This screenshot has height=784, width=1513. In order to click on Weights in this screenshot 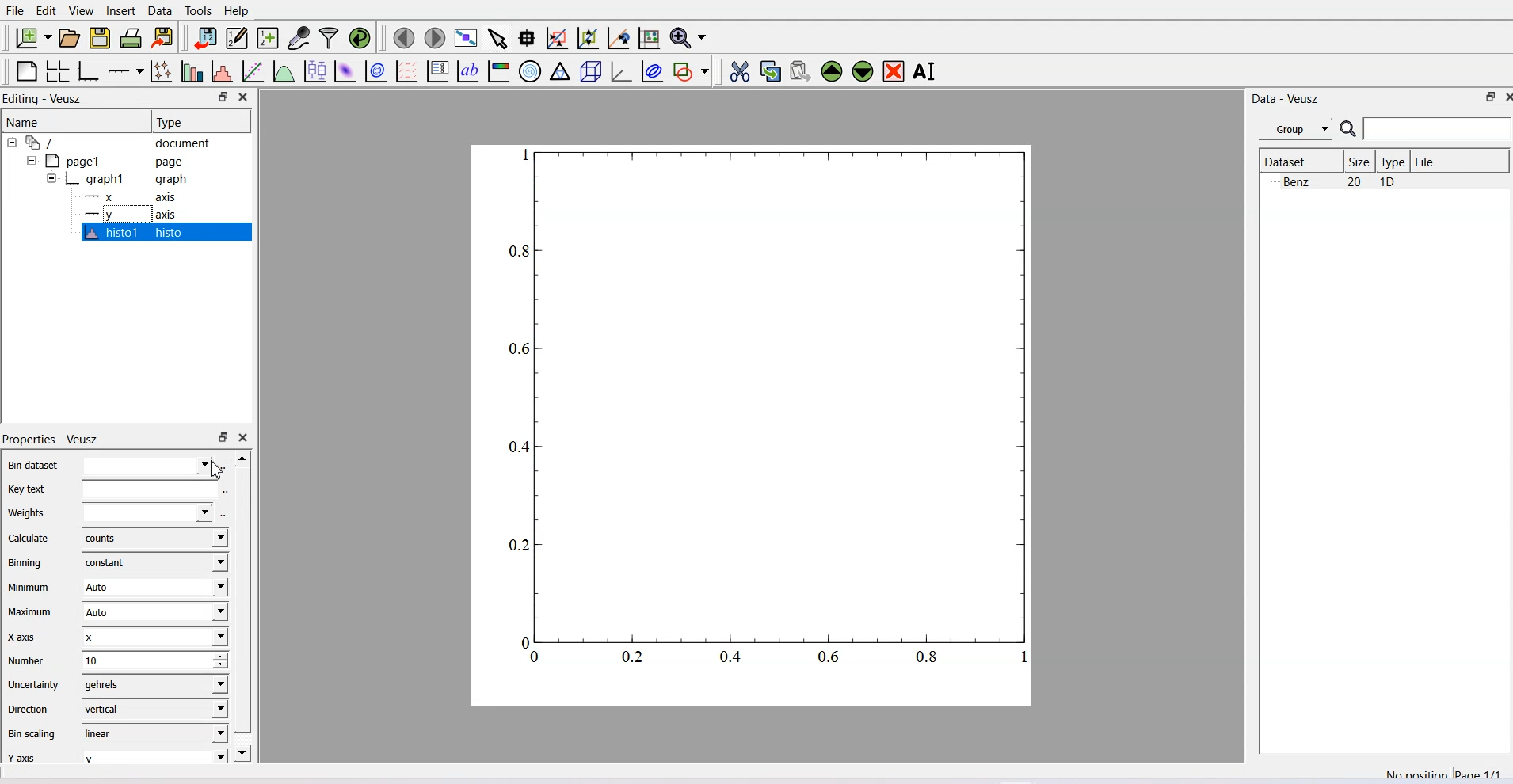, I will do `click(109, 512)`.